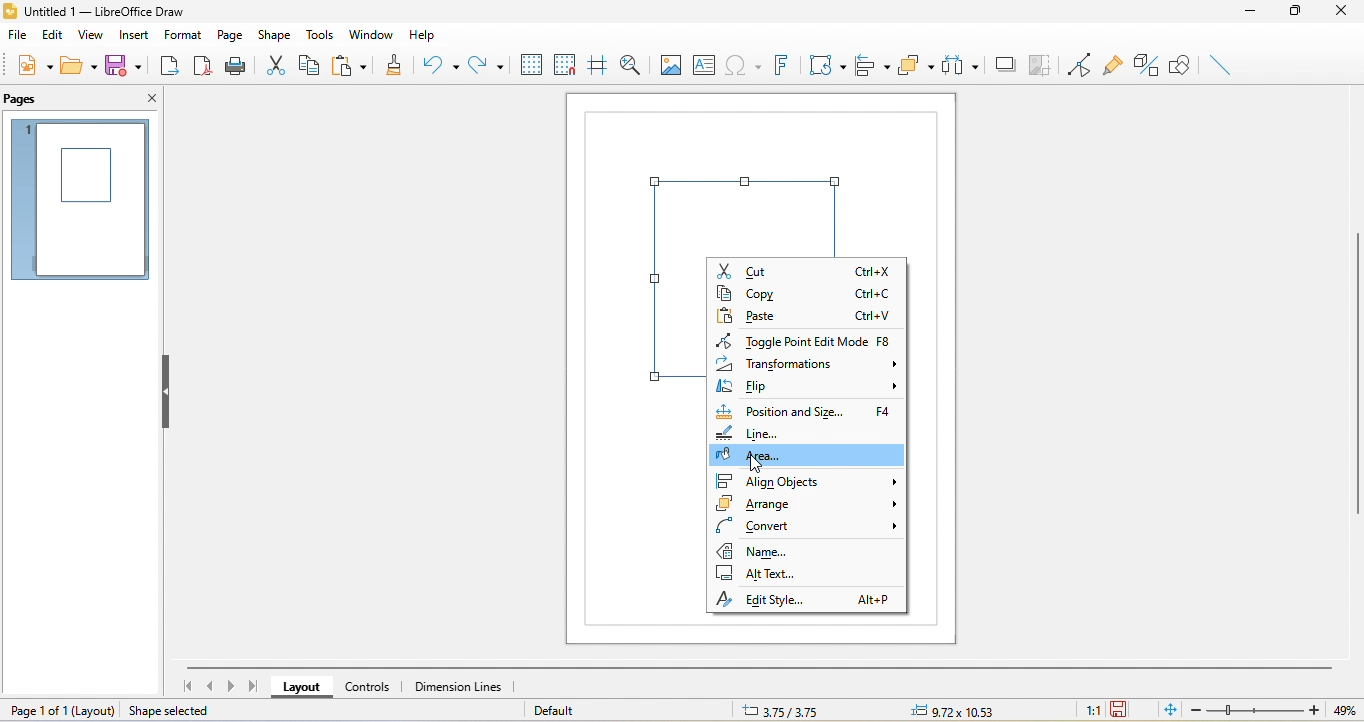  What do you see at coordinates (566, 65) in the screenshot?
I see `snap to grids` at bounding box center [566, 65].